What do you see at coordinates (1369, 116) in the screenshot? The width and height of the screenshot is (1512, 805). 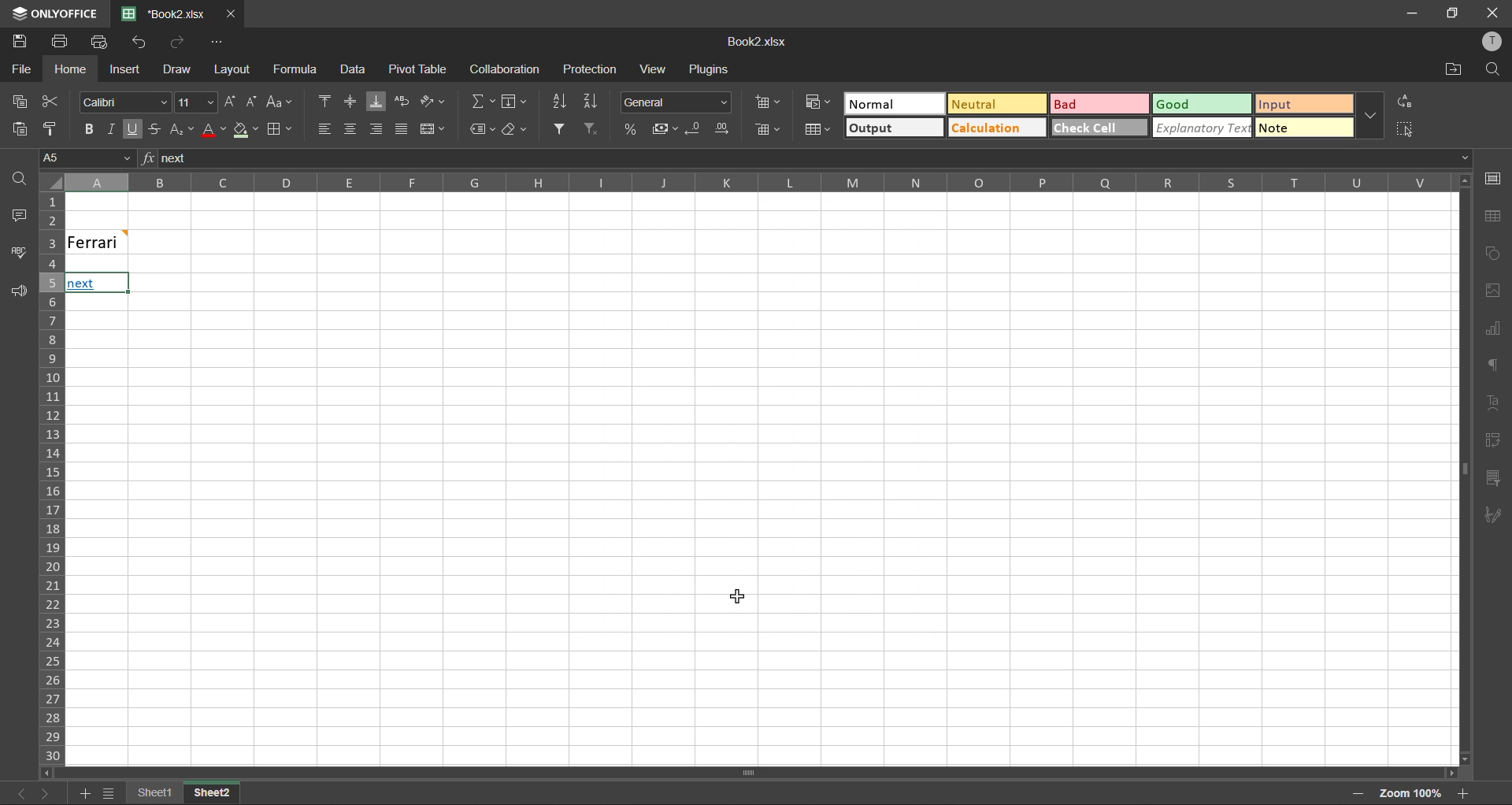 I see `more options` at bounding box center [1369, 116].